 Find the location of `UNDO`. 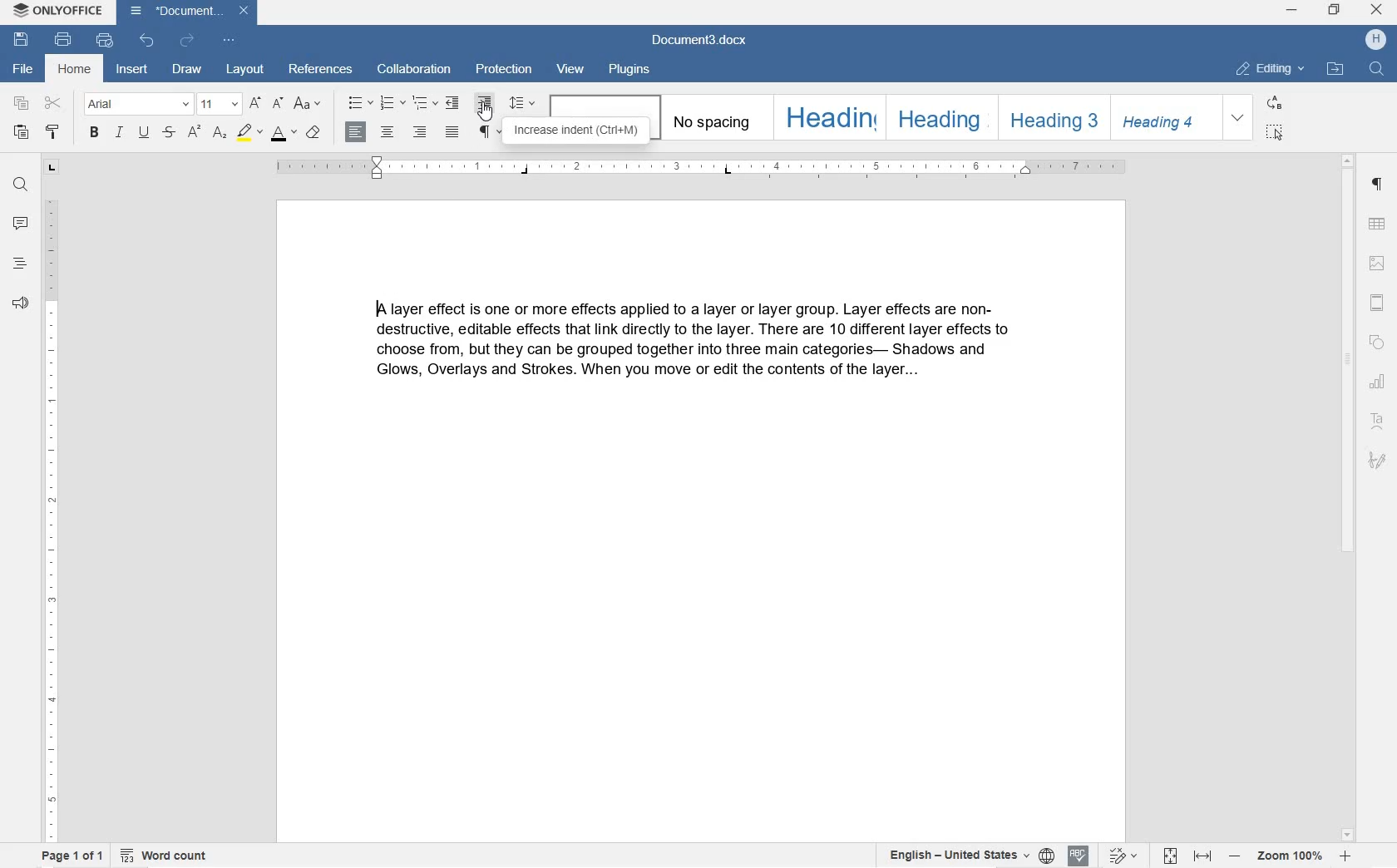

UNDO is located at coordinates (150, 42).